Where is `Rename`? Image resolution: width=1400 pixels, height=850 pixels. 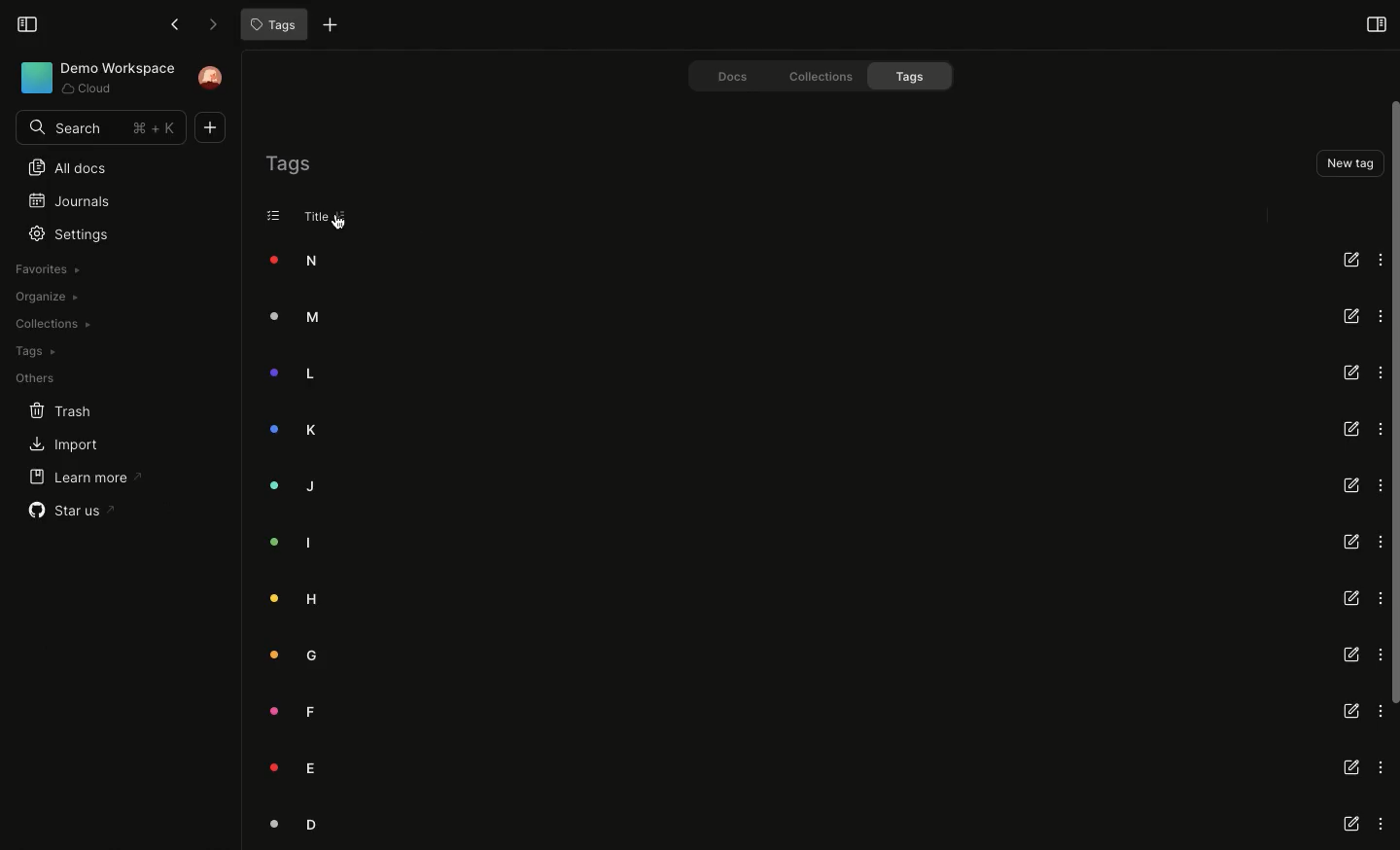
Rename is located at coordinates (1348, 316).